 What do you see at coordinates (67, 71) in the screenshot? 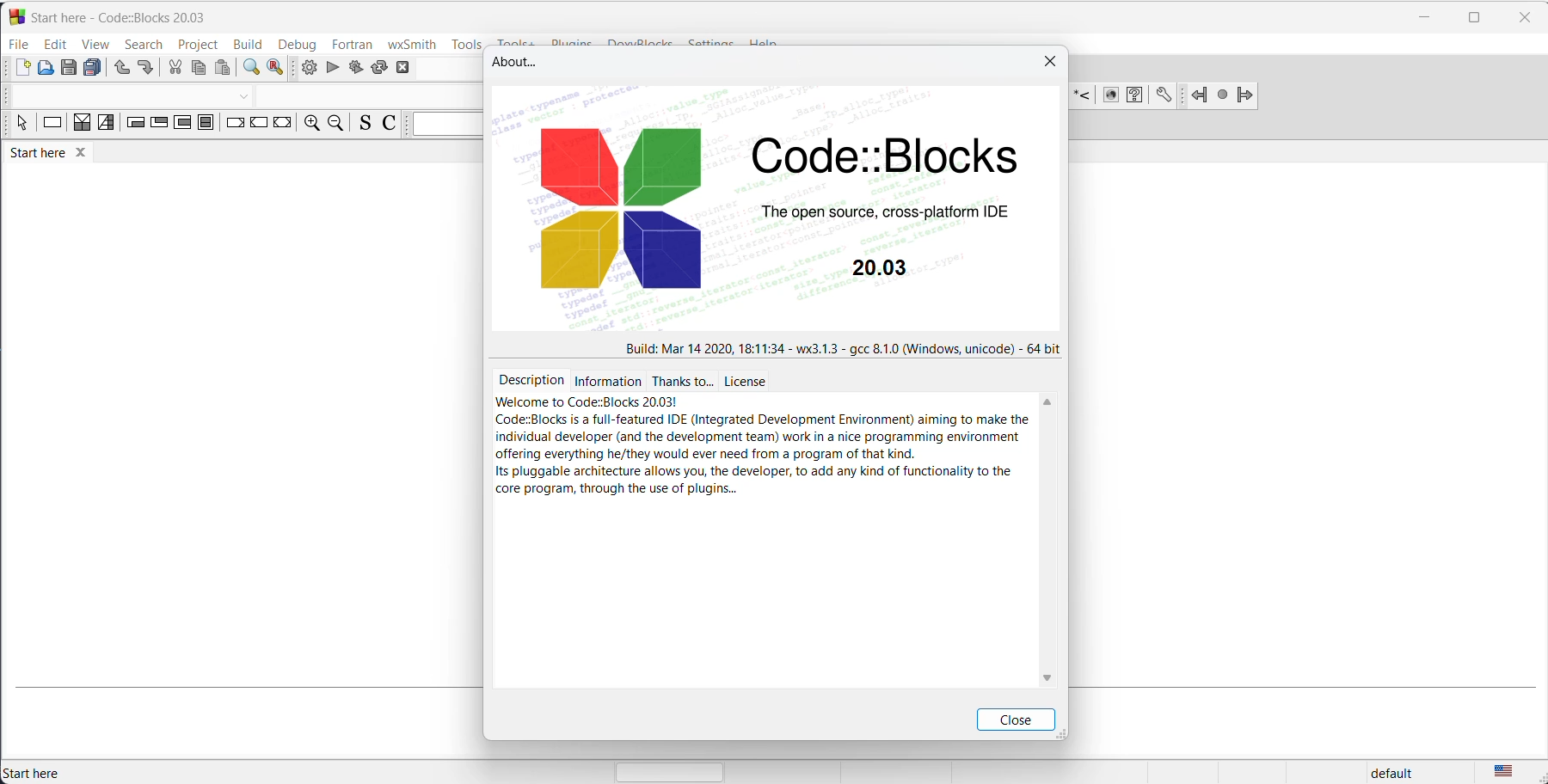
I see `save` at bounding box center [67, 71].